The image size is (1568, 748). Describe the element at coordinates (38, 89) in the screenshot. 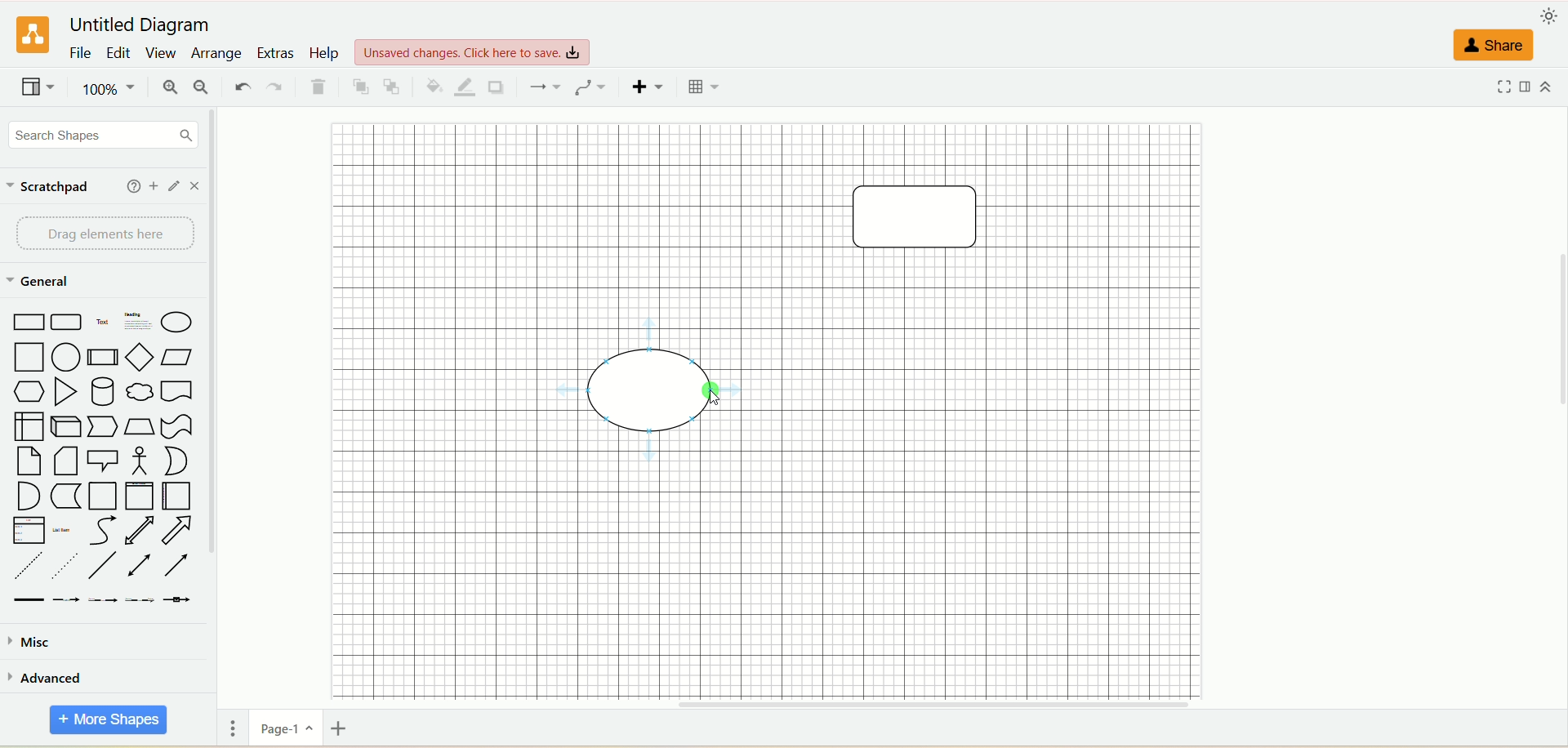

I see `view` at that location.